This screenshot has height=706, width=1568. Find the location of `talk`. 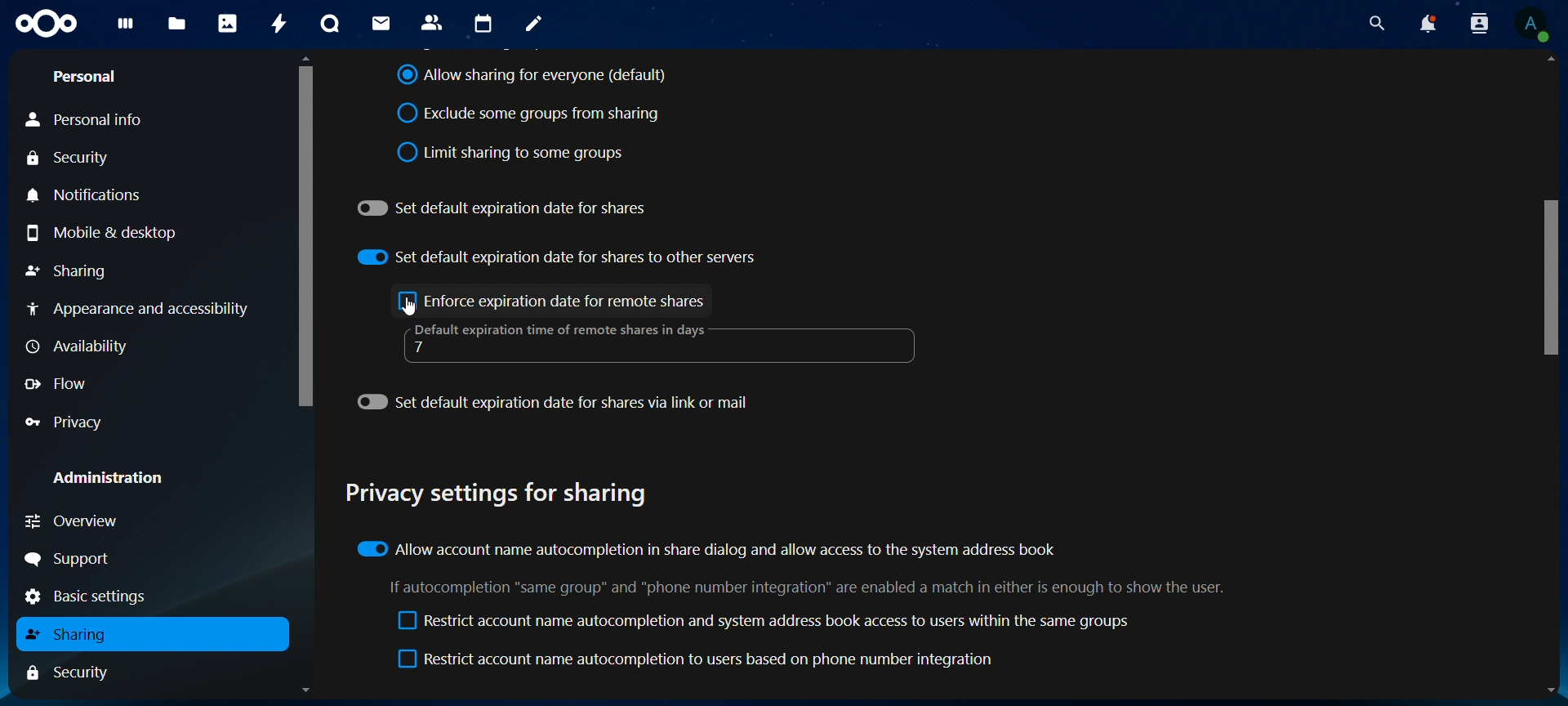

talk is located at coordinates (329, 22).